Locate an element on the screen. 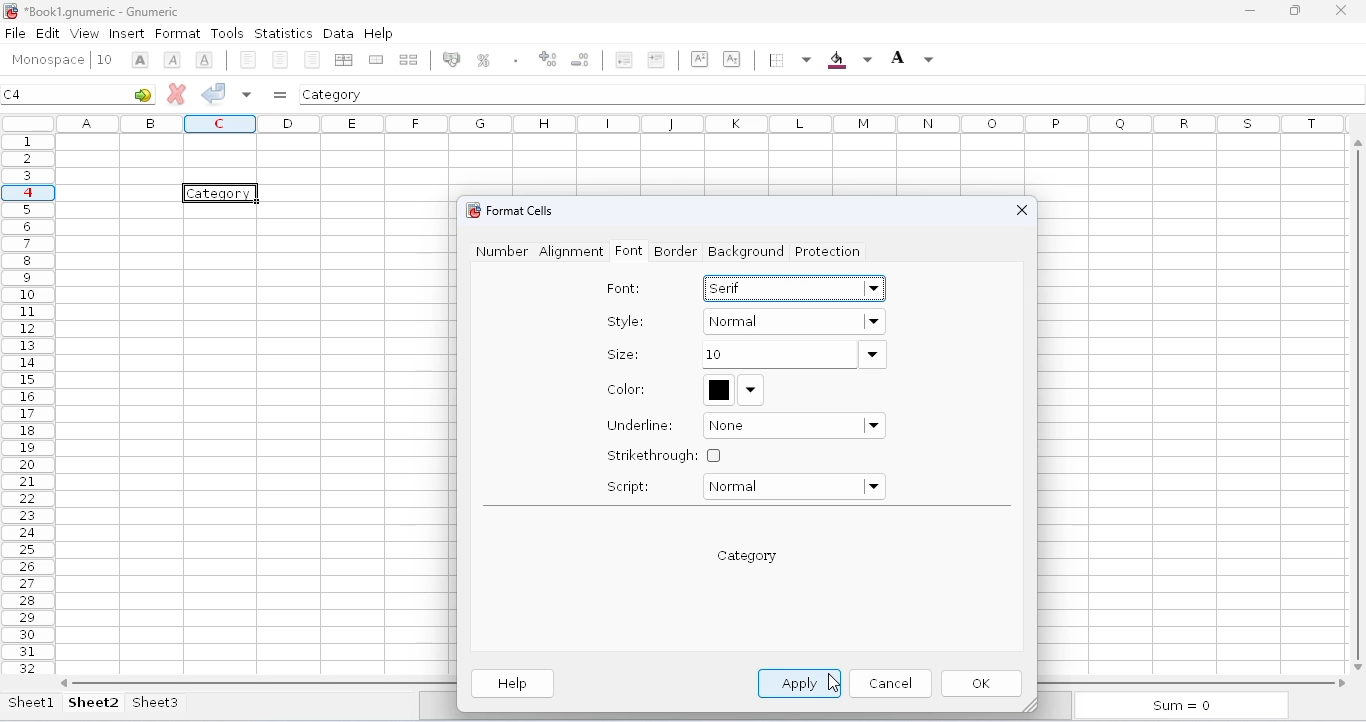  format cells is located at coordinates (520, 210).